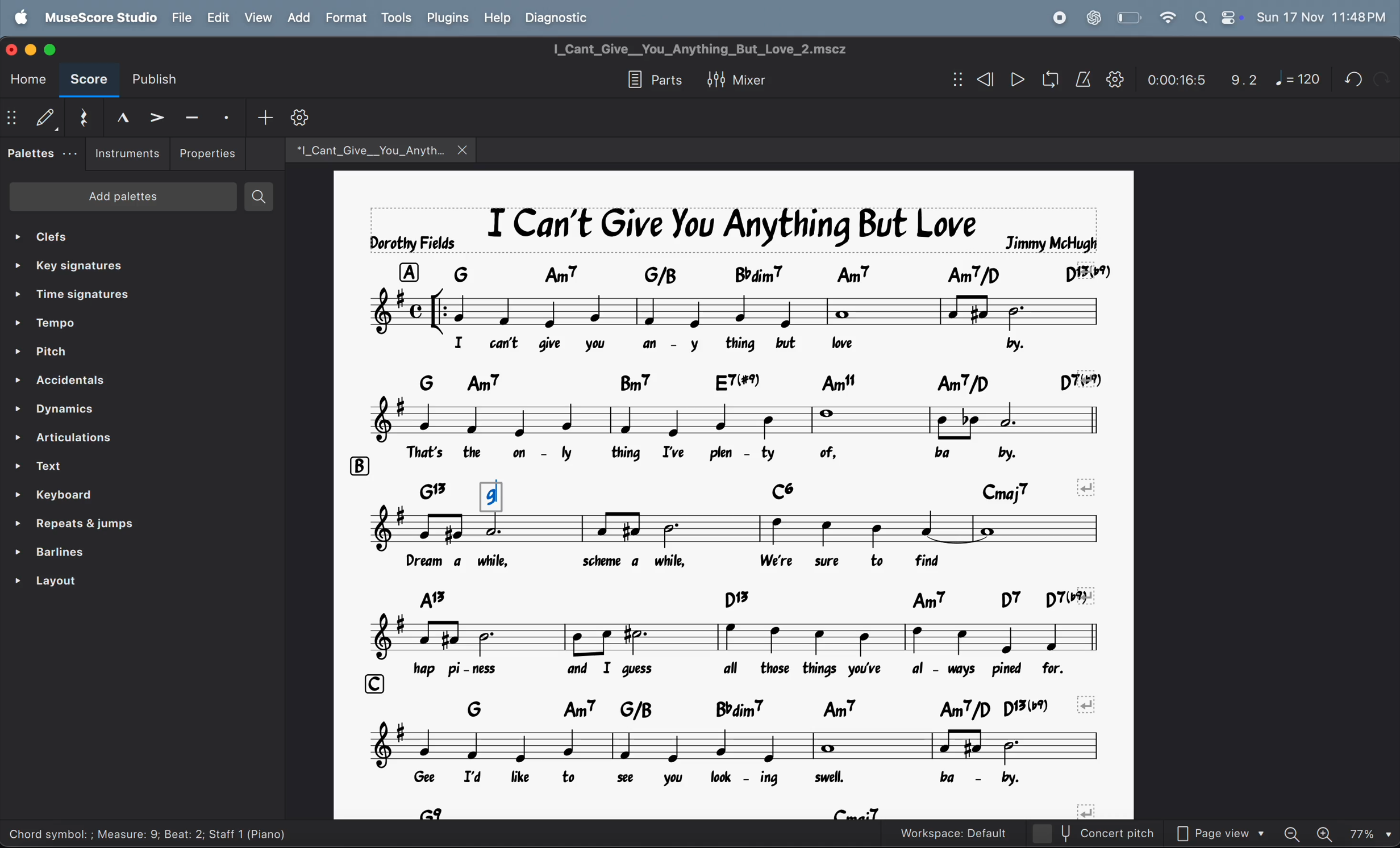 The width and height of the screenshot is (1400, 848). I want to click on note 120, so click(1296, 79).